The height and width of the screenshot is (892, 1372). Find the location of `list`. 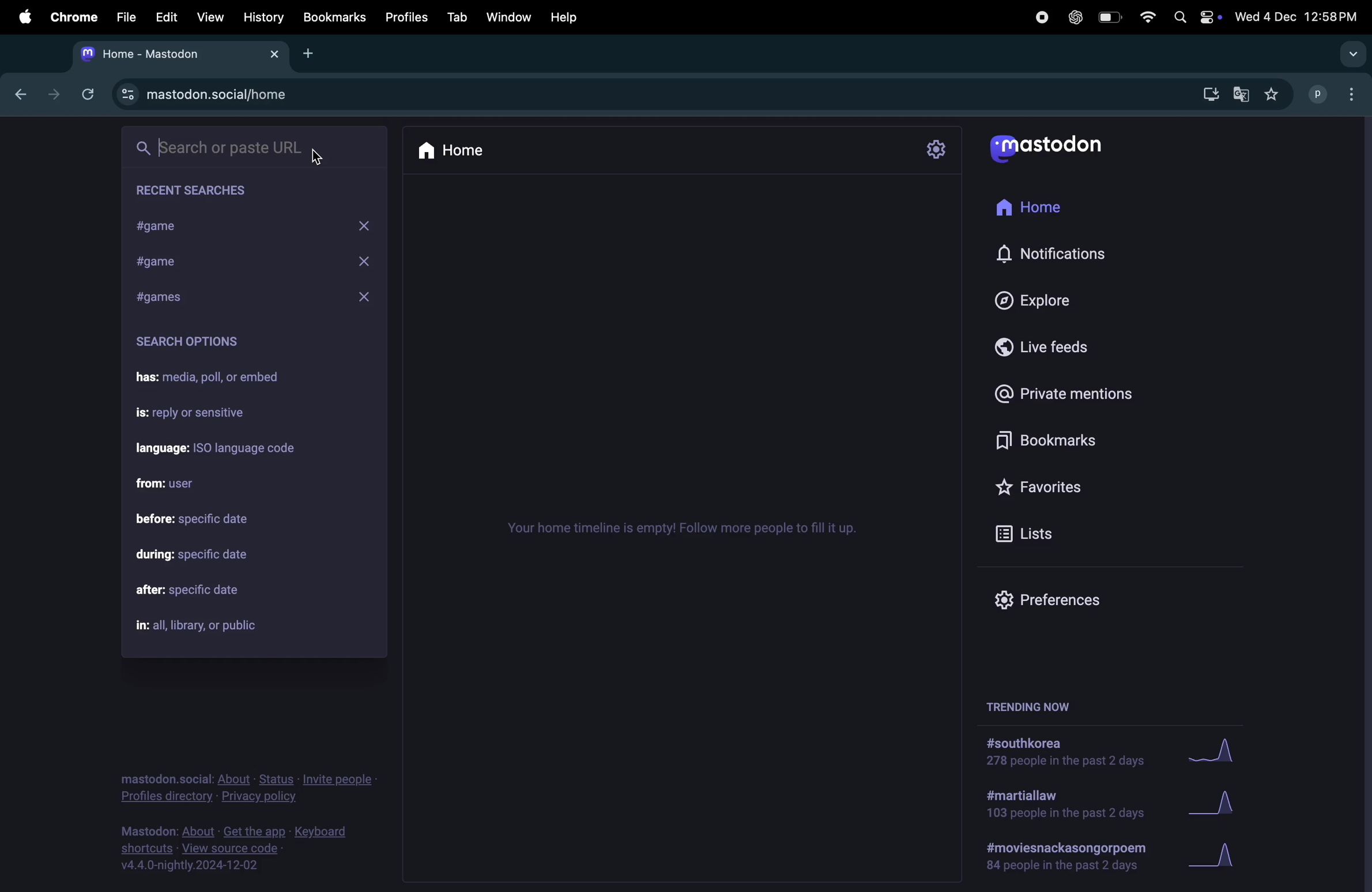

list is located at coordinates (1026, 531).